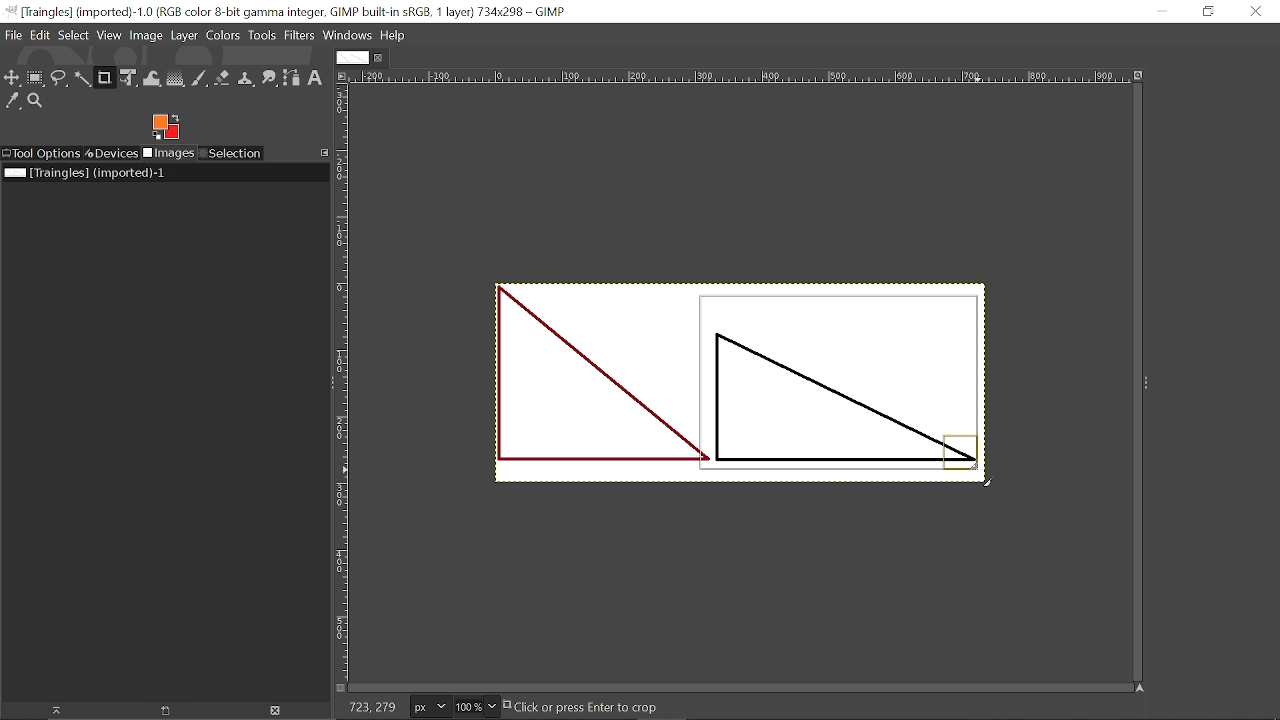 This screenshot has height=720, width=1280. Describe the element at coordinates (370, 709) in the screenshot. I see `723, 279` at that location.